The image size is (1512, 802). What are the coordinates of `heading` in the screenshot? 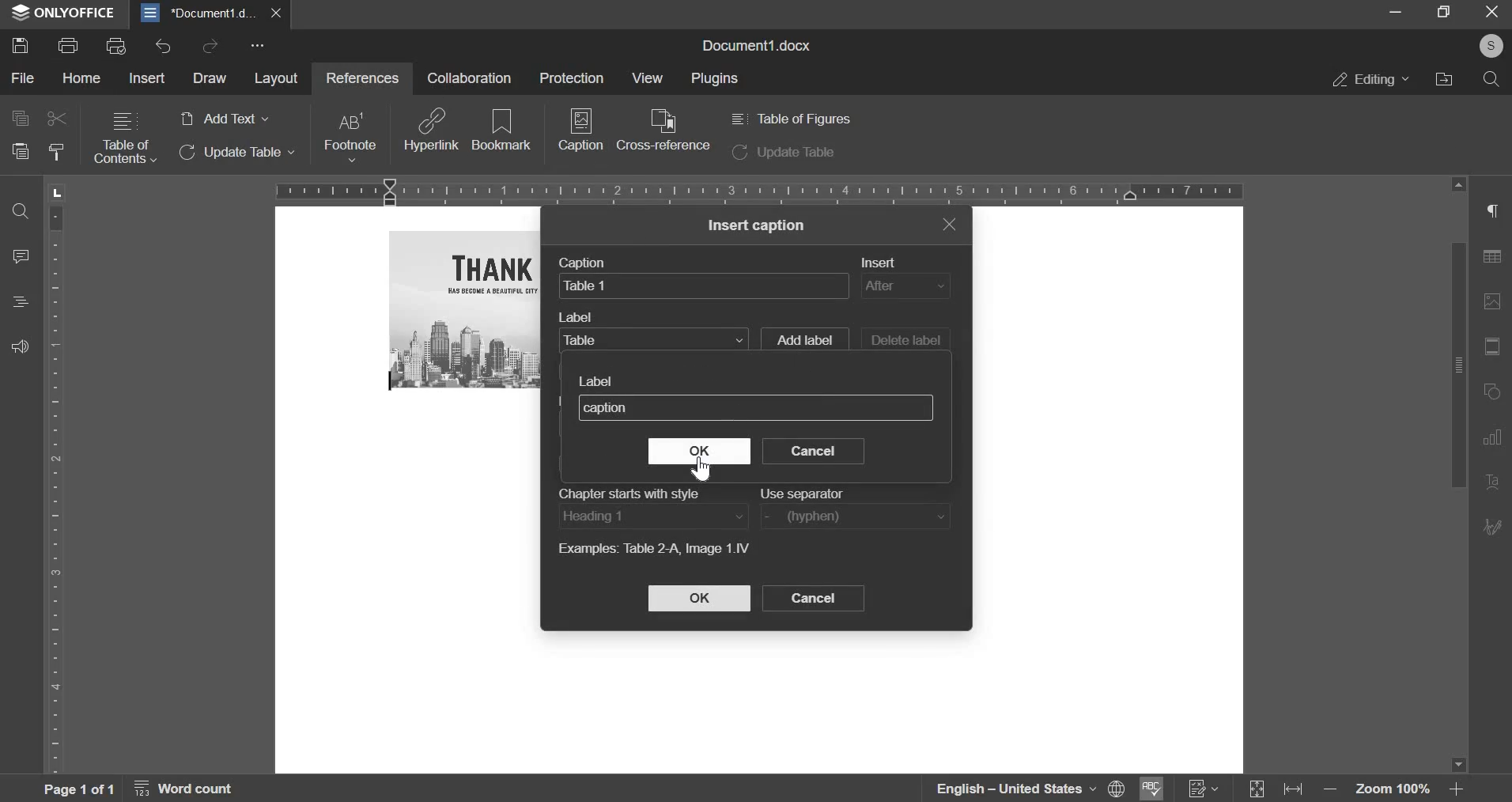 It's located at (21, 301).